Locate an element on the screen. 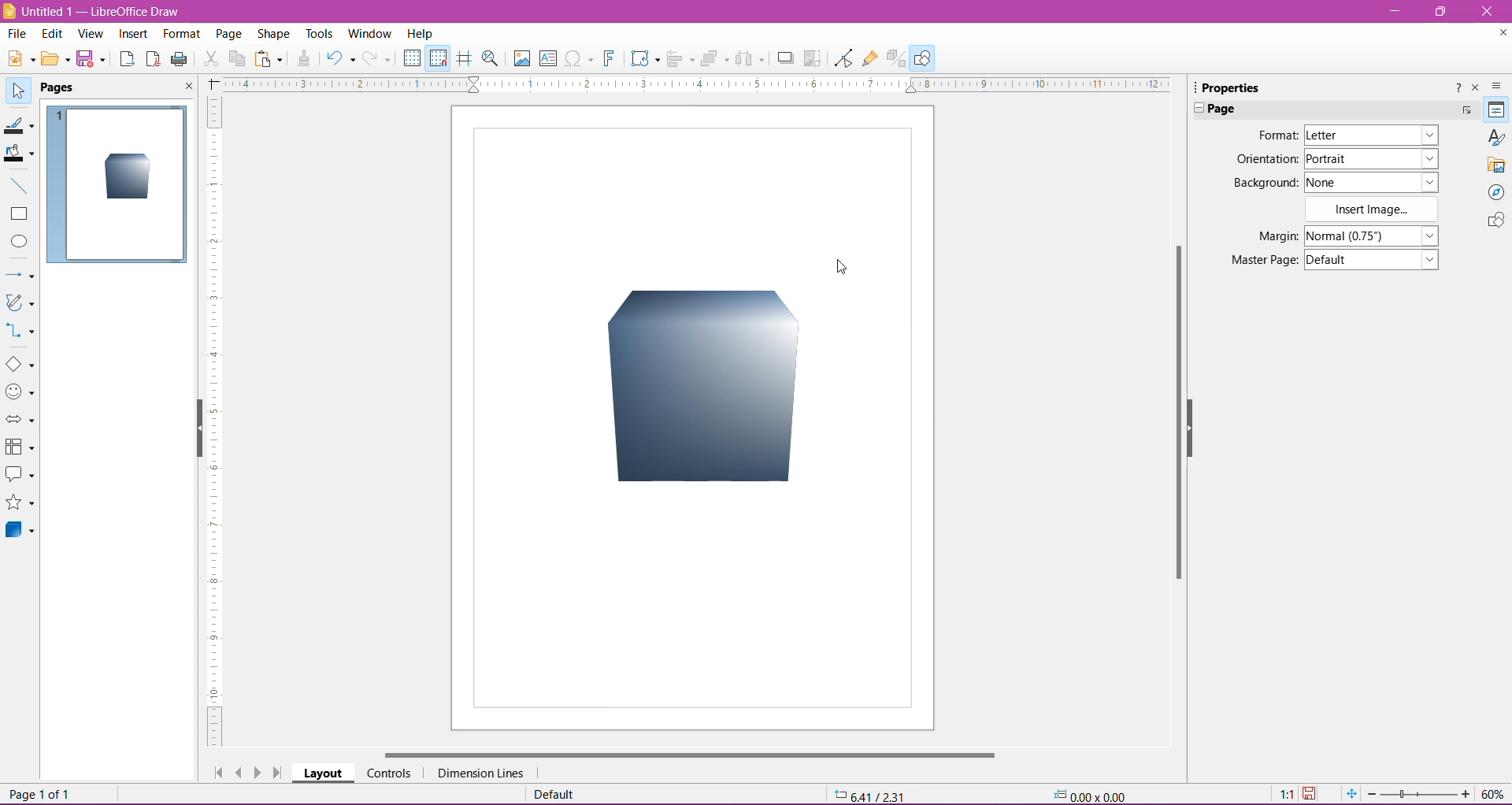  Shape is located at coordinates (273, 35).